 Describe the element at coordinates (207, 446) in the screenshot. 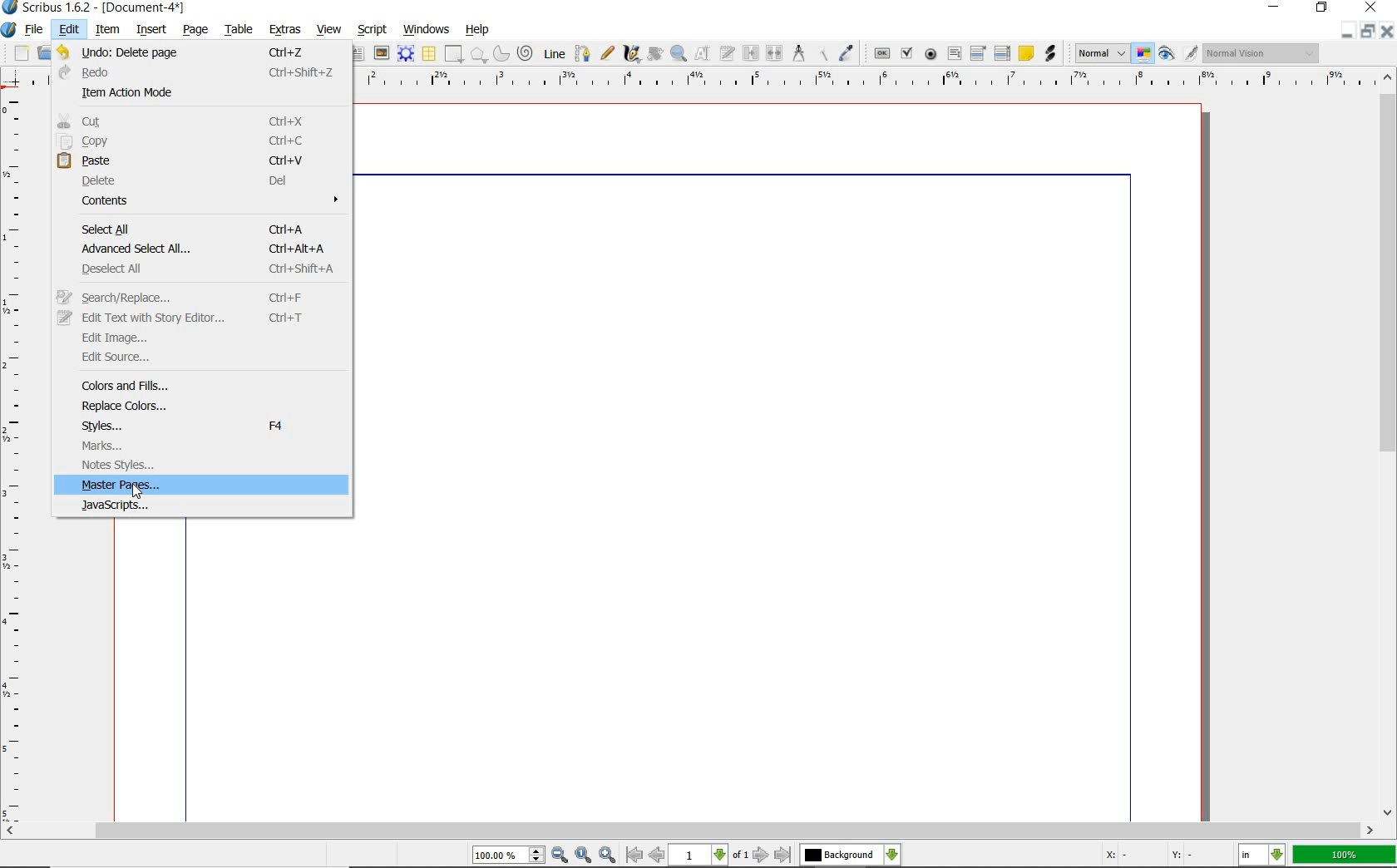

I see `marks` at that location.